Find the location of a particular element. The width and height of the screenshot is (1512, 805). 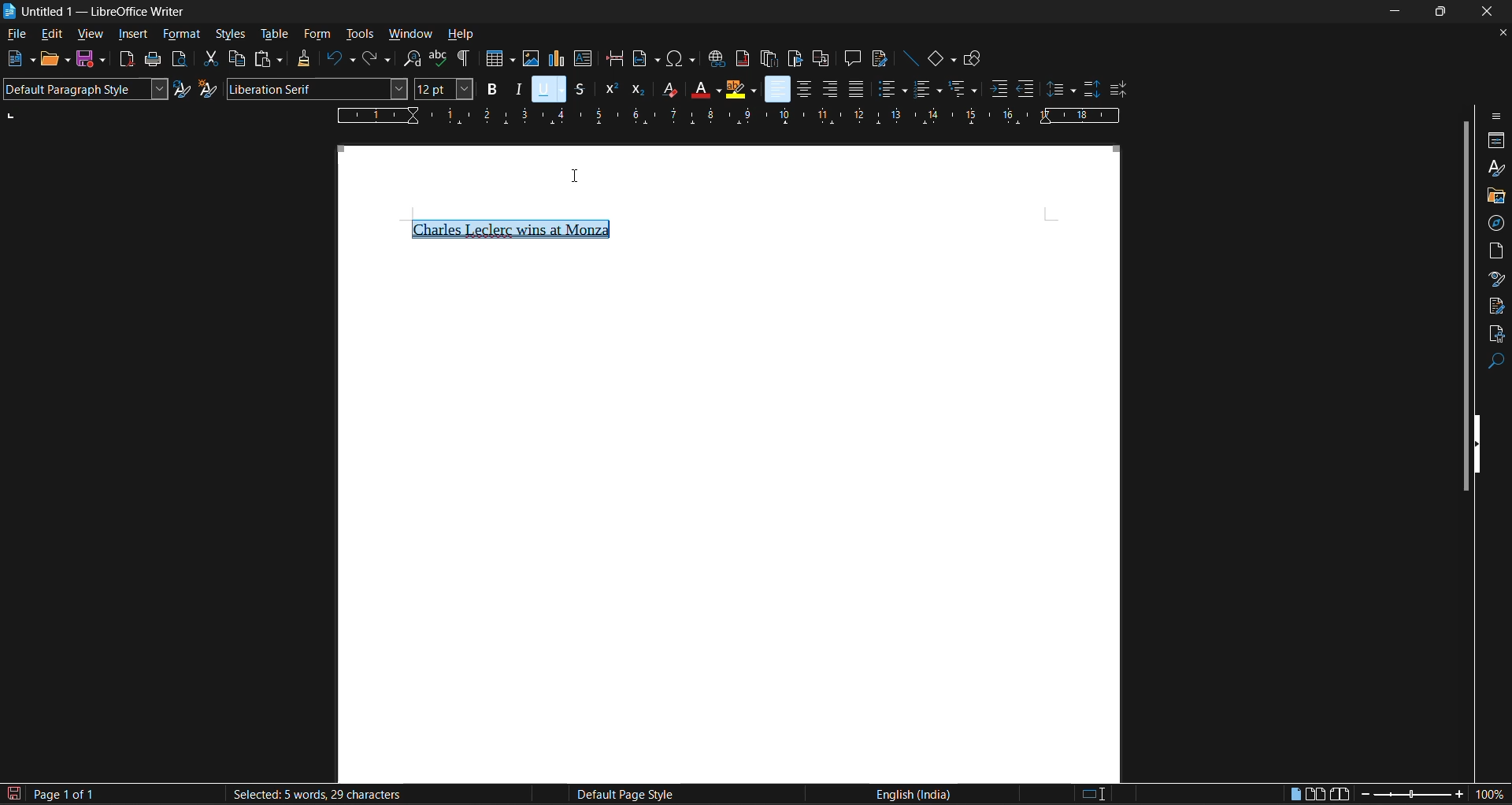

align left is located at coordinates (778, 88).